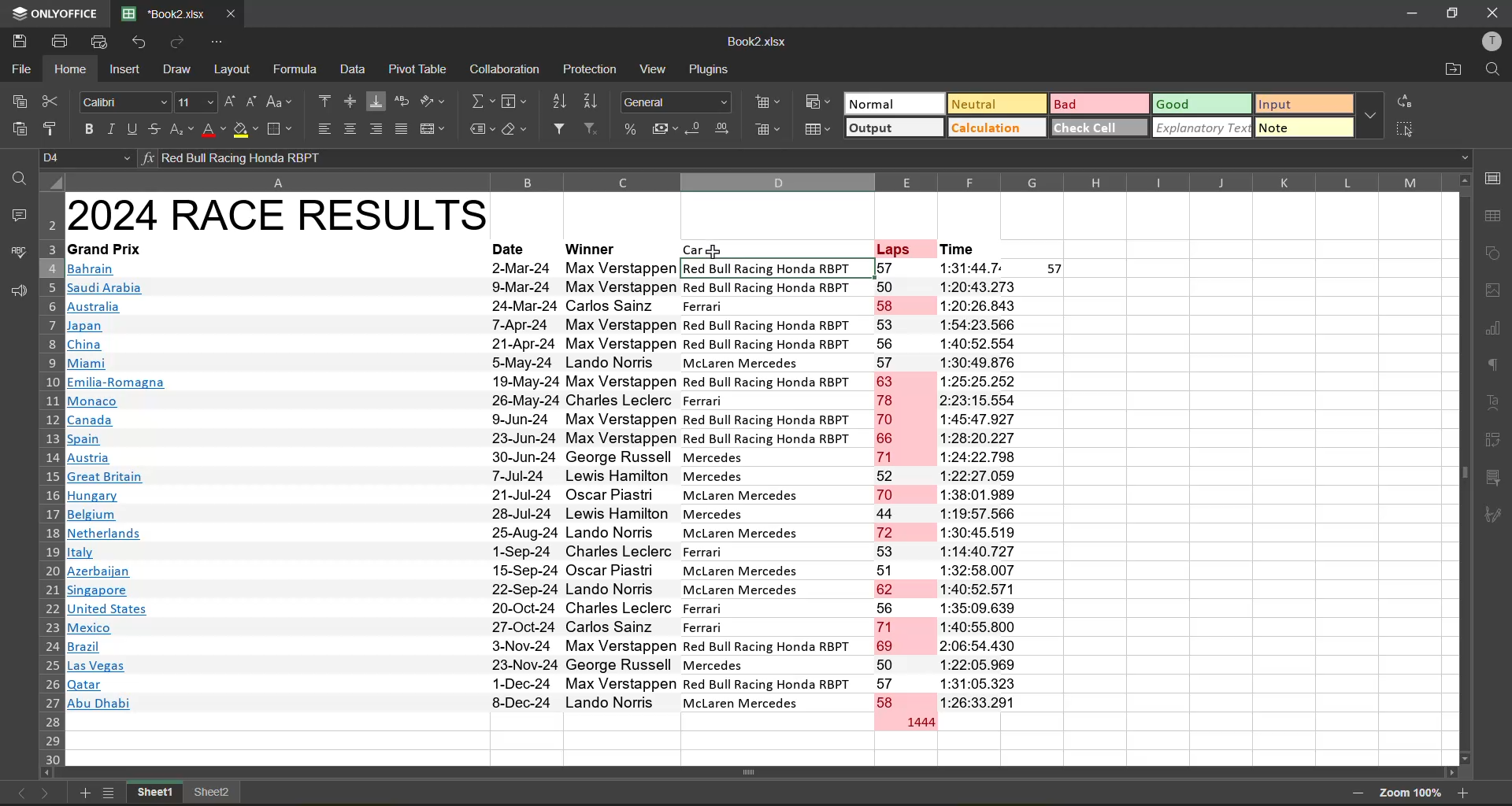 Image resolution: width=1512 pixels, height=806 pixels. What do you see at coordinates (211, 42) in the screenshot?
I see `customize quick access toolbar` at bounding box center [211, 42].